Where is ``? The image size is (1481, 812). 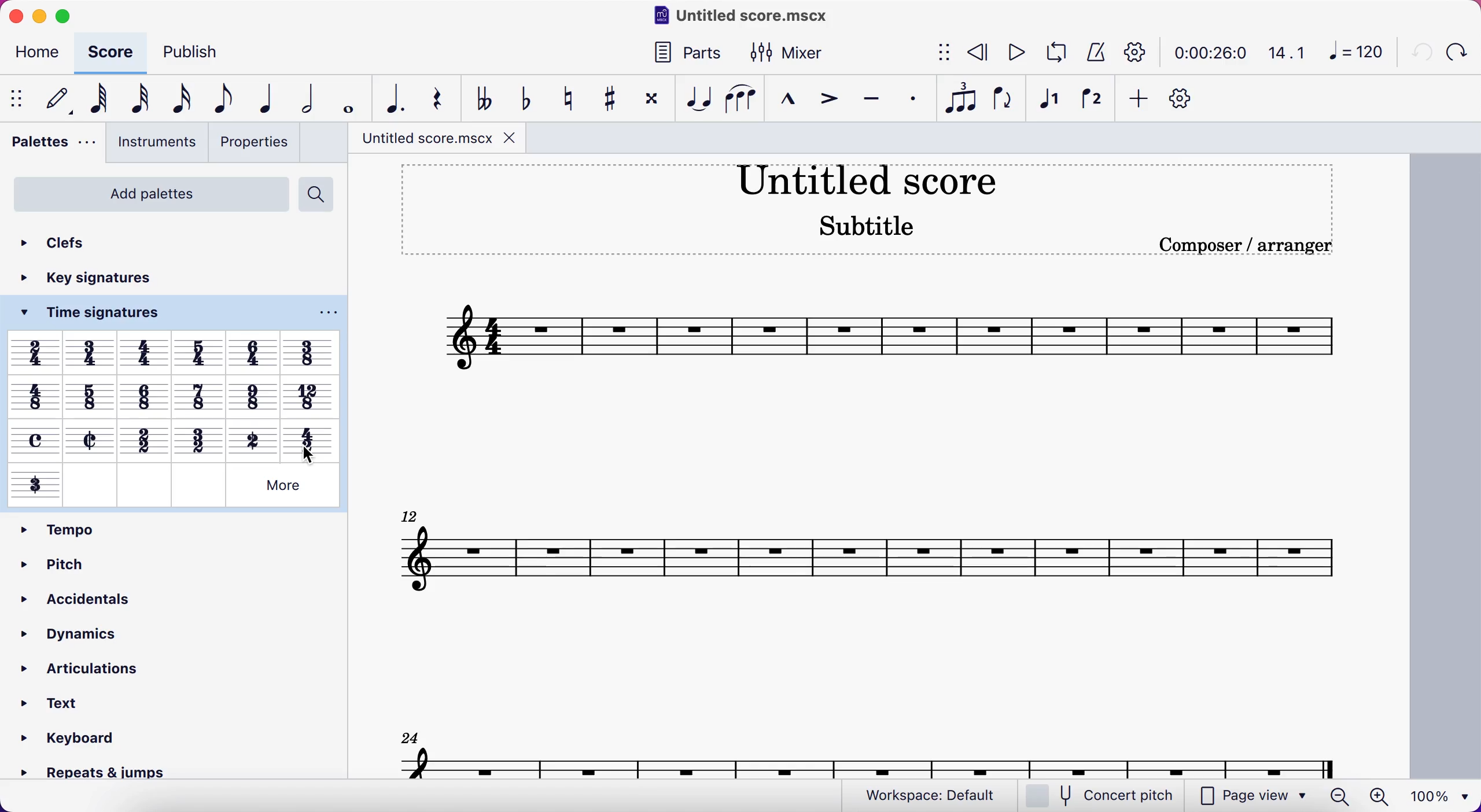  is located at coordinates (74, 598).